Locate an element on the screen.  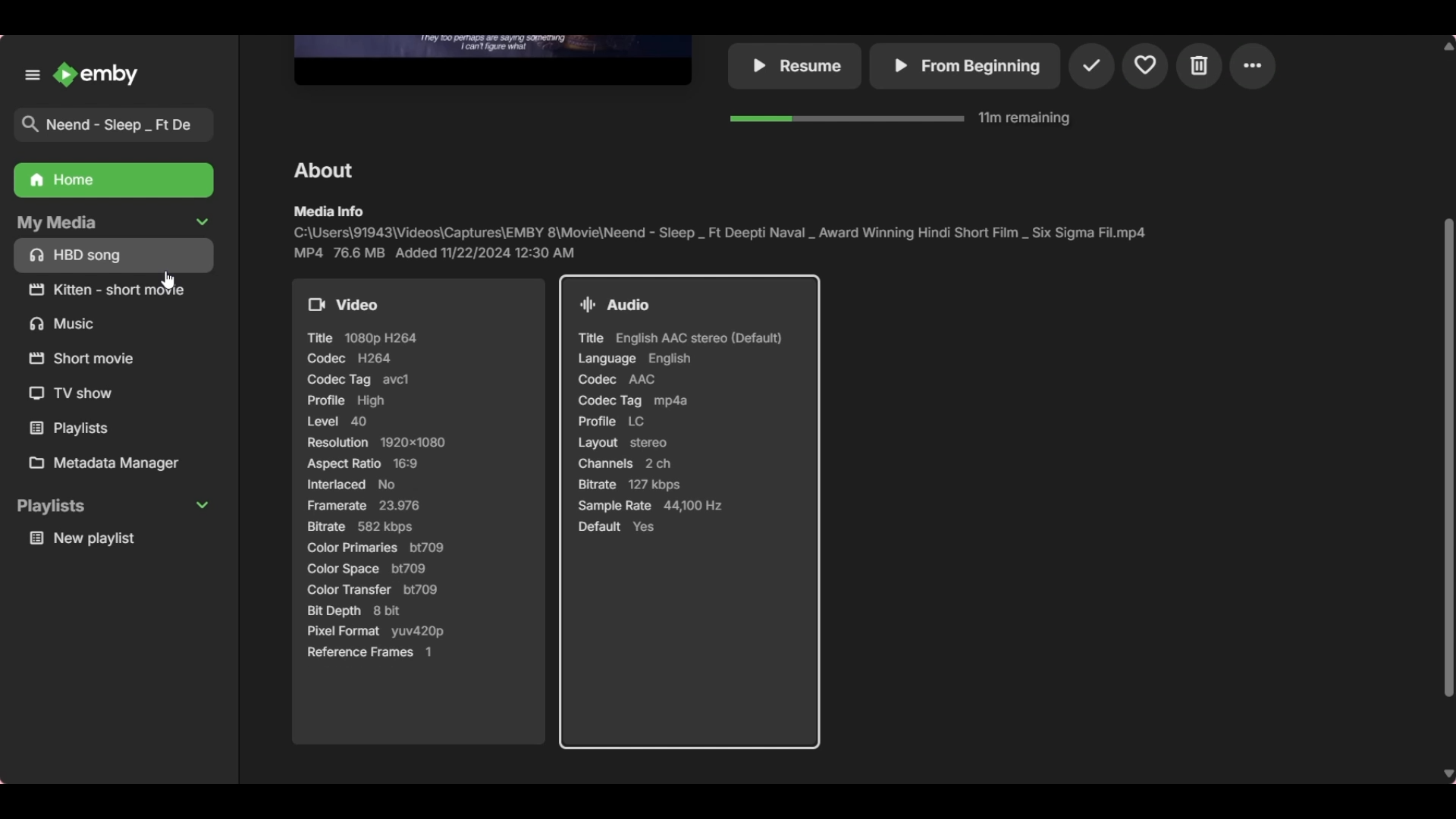
Page moved down to view entire details of the movie is located at coordinates (423, 519).